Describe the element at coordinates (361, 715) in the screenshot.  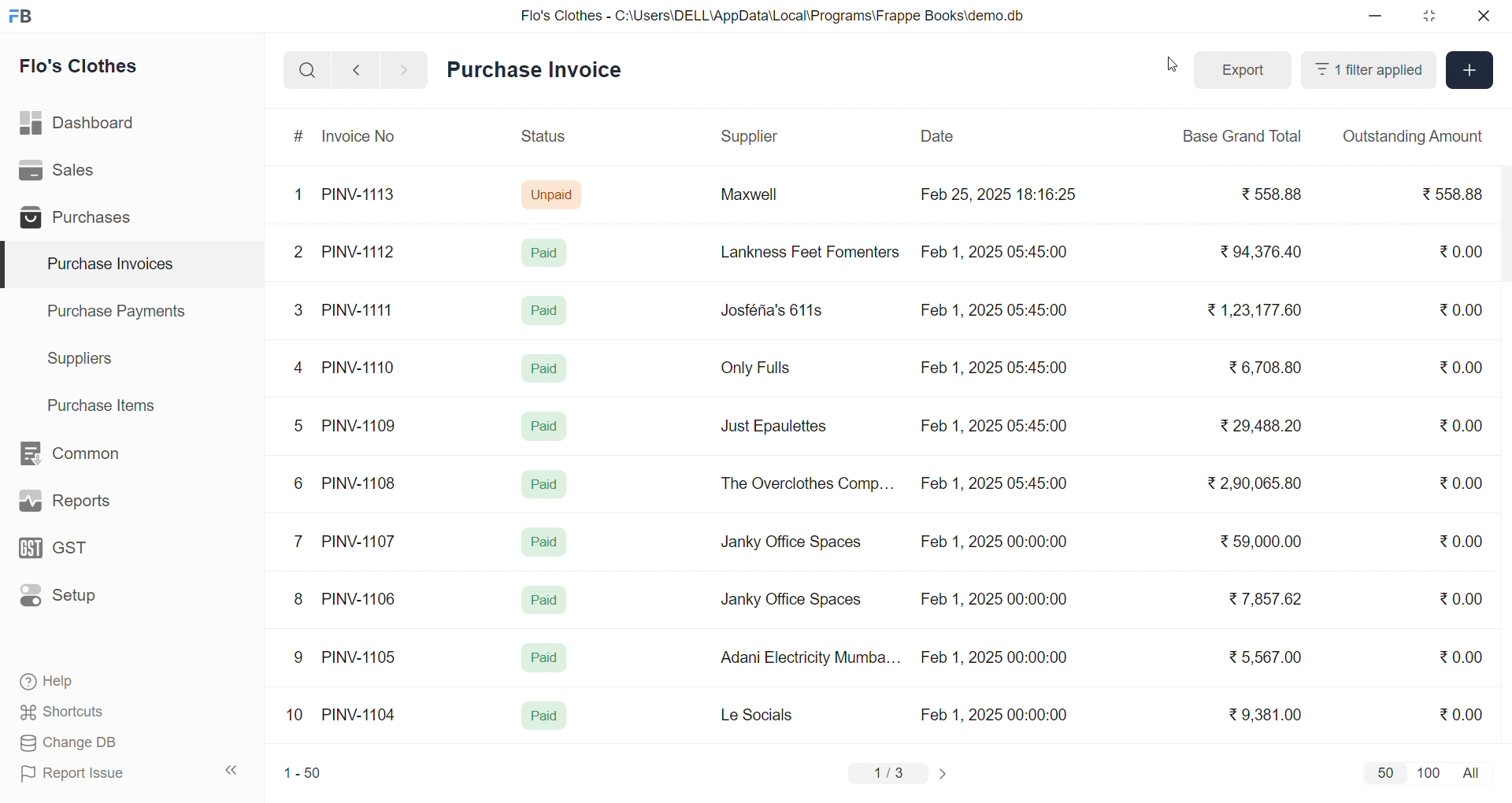
I see `PINV-1104` at that location.